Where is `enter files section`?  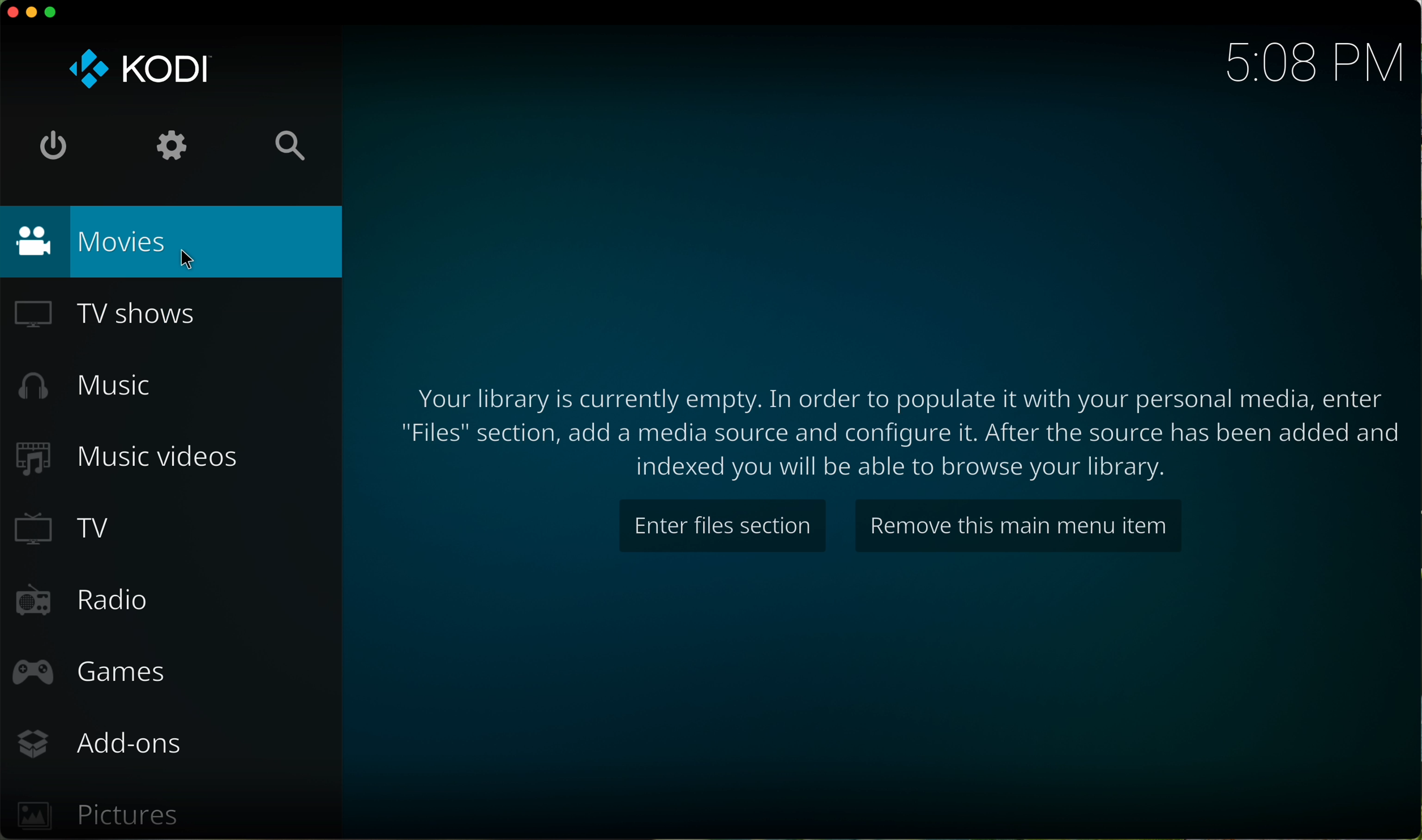
enter files section is located at coordinates (722, 527).